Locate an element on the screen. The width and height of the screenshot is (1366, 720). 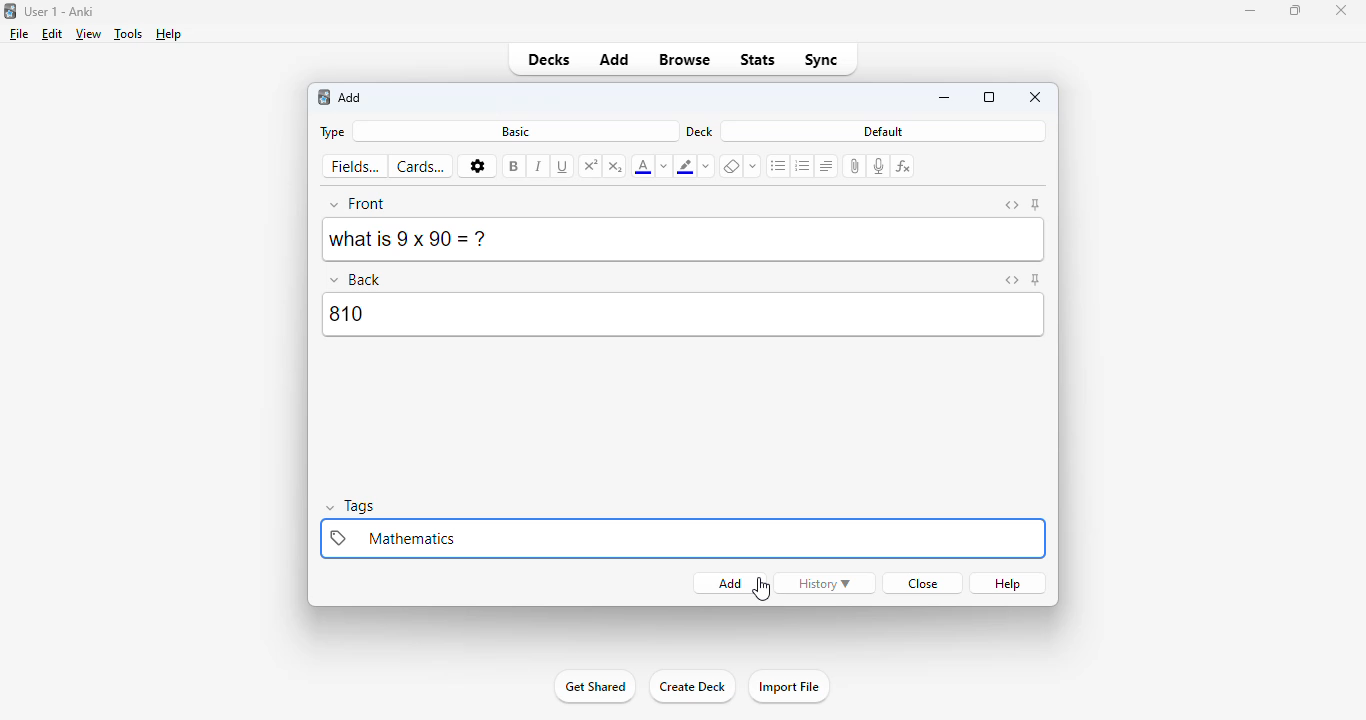
select formatting to remove is located at coordinates (753, 167).